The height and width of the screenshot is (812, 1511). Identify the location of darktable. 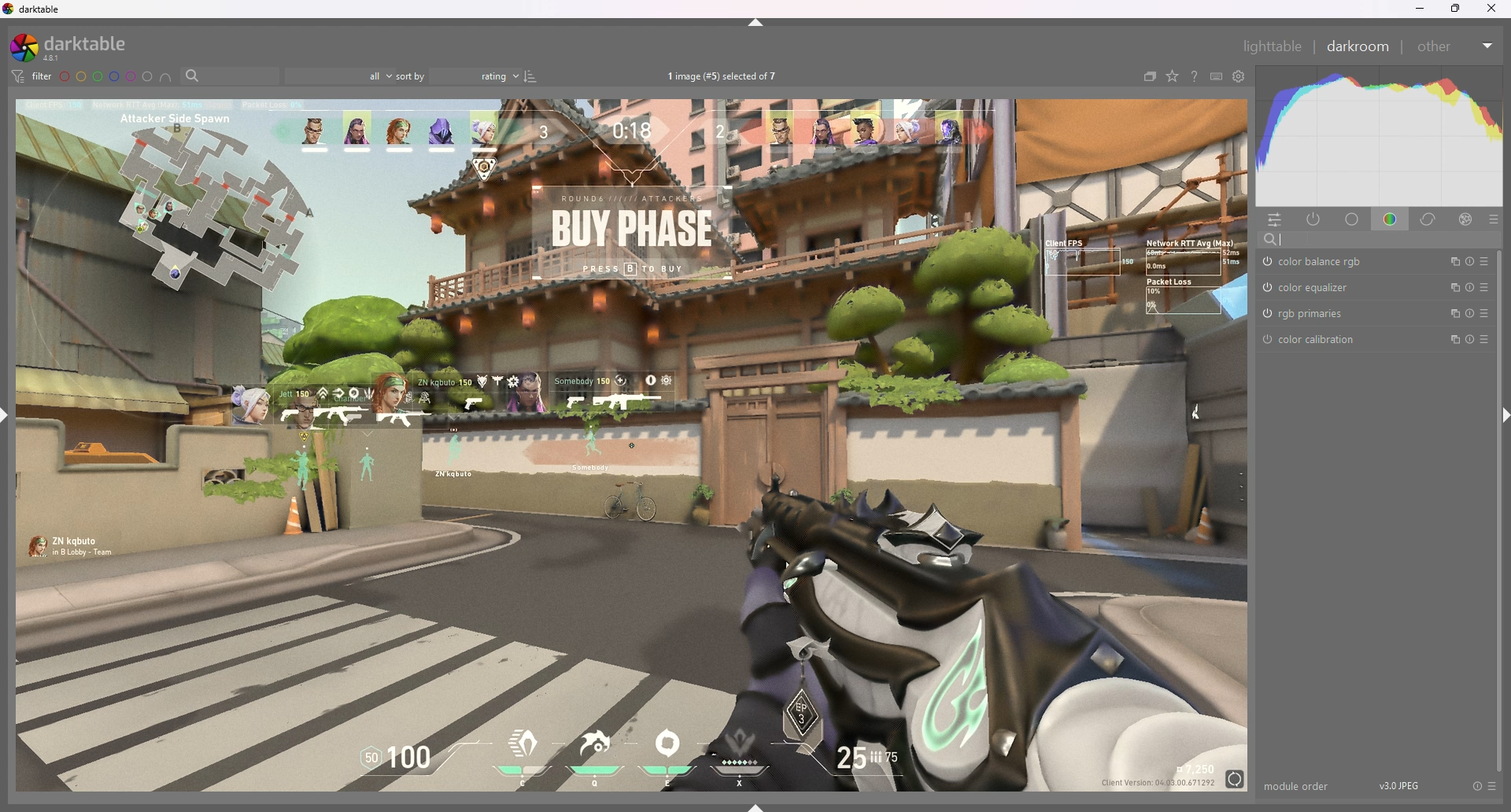
(75, 46).